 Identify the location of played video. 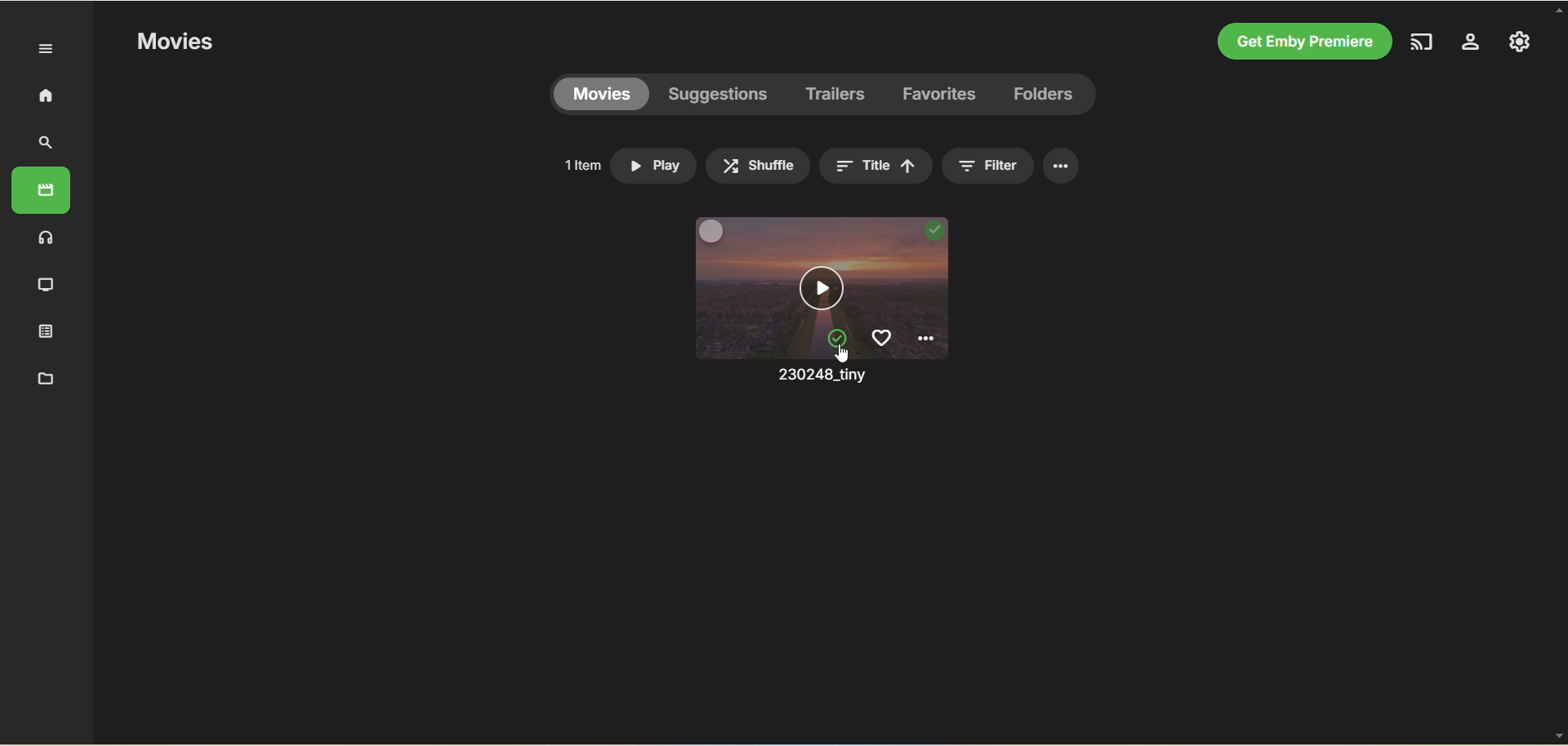
(932, 231).